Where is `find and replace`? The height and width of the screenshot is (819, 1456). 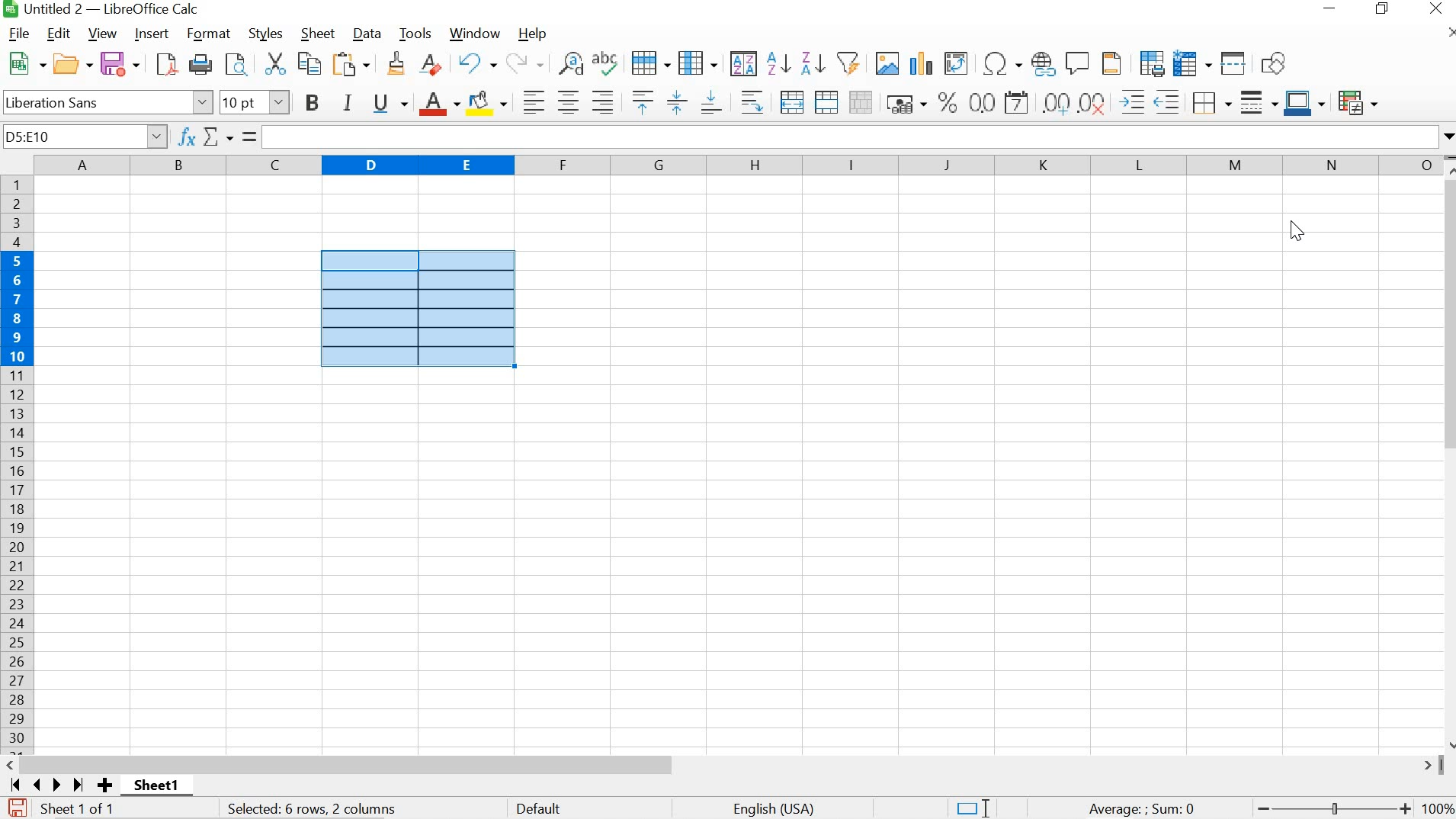
find and replace is located at coordinates (572, 64).